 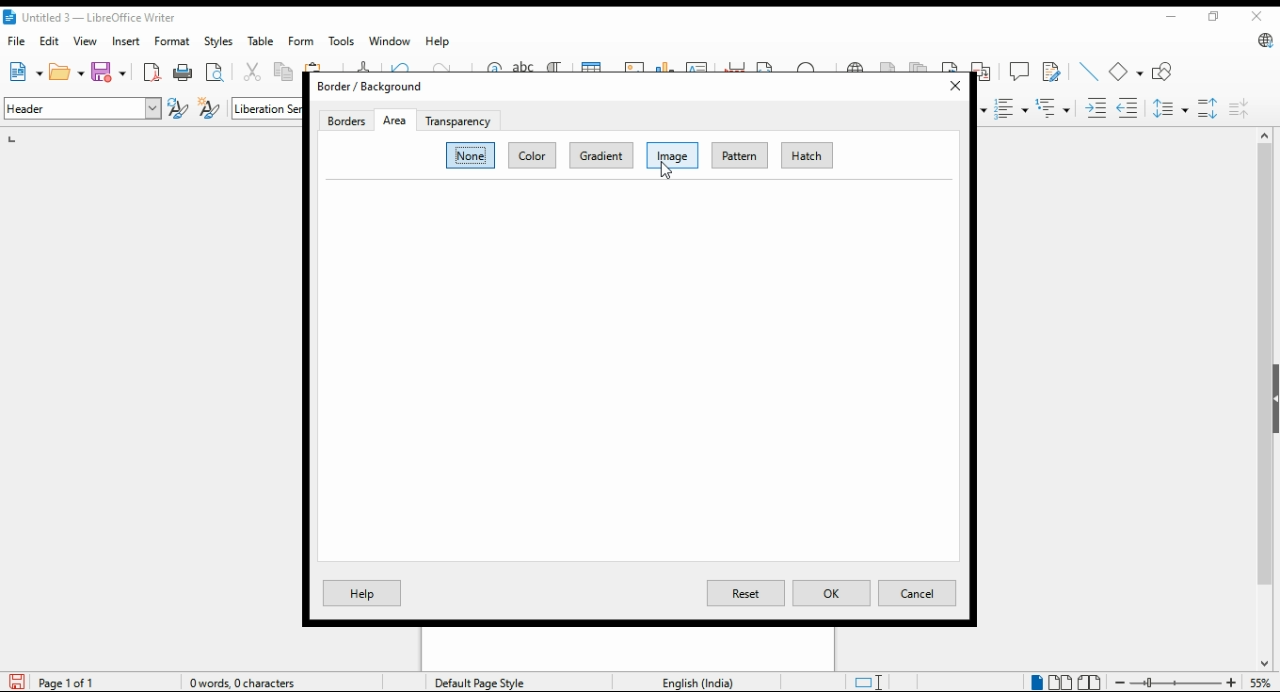 I want to click on font, so click(x=267, y=109).